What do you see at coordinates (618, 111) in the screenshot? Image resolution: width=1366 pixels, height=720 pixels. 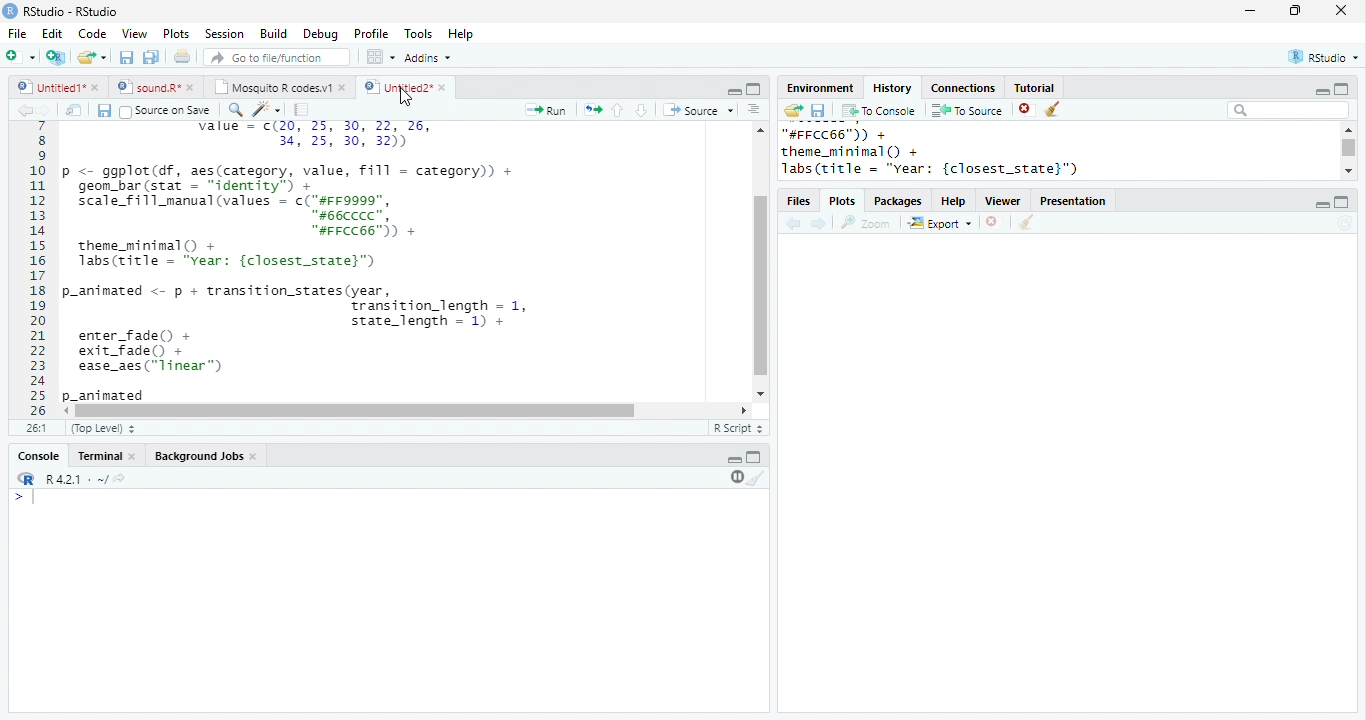 I see `up` at bounding box center [618, 111].